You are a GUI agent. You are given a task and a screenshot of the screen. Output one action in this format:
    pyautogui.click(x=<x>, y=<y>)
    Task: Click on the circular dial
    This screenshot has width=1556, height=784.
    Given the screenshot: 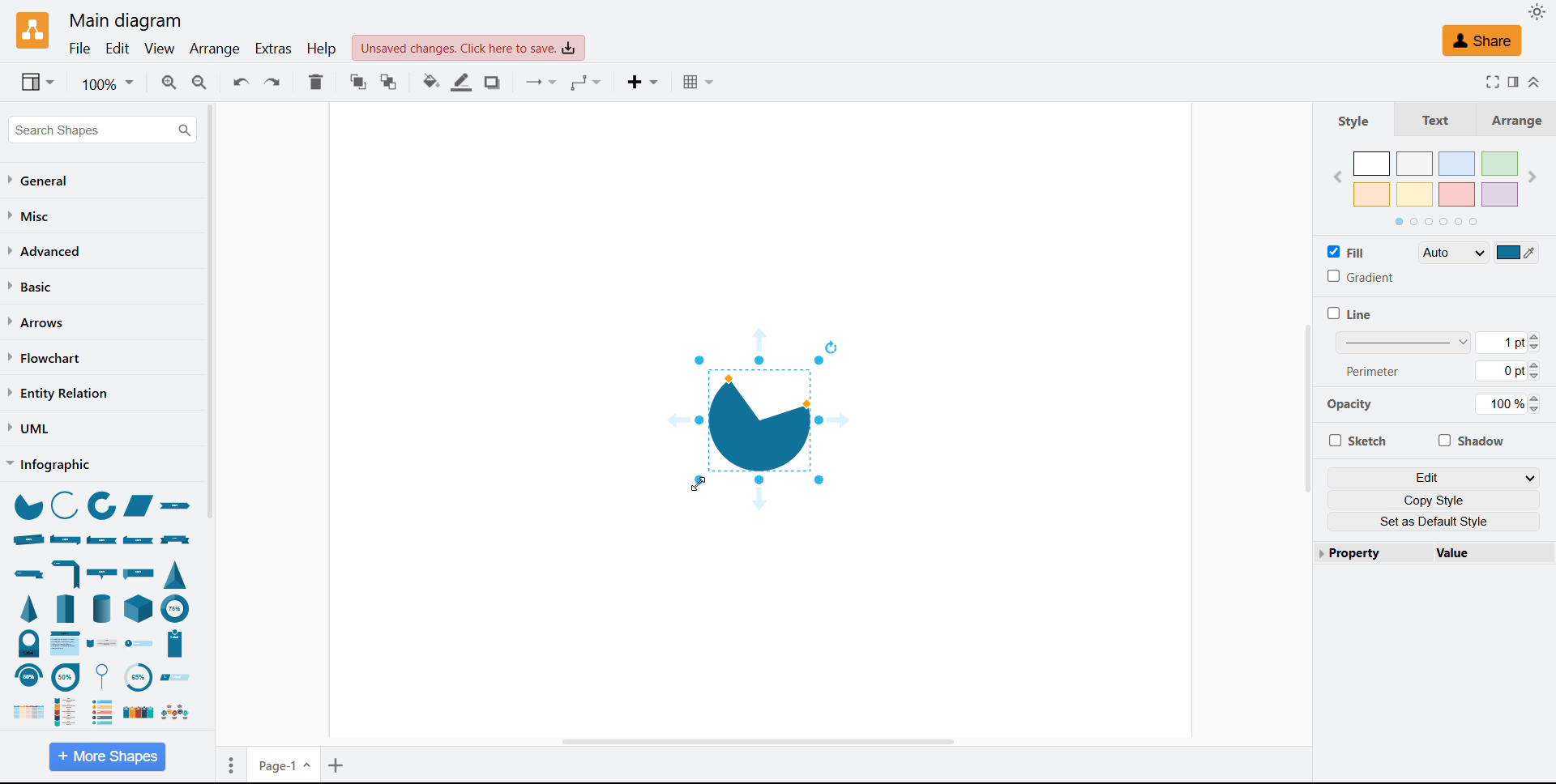 What is the action you would take?
    pyautogui.click(x=29, y=643)
    